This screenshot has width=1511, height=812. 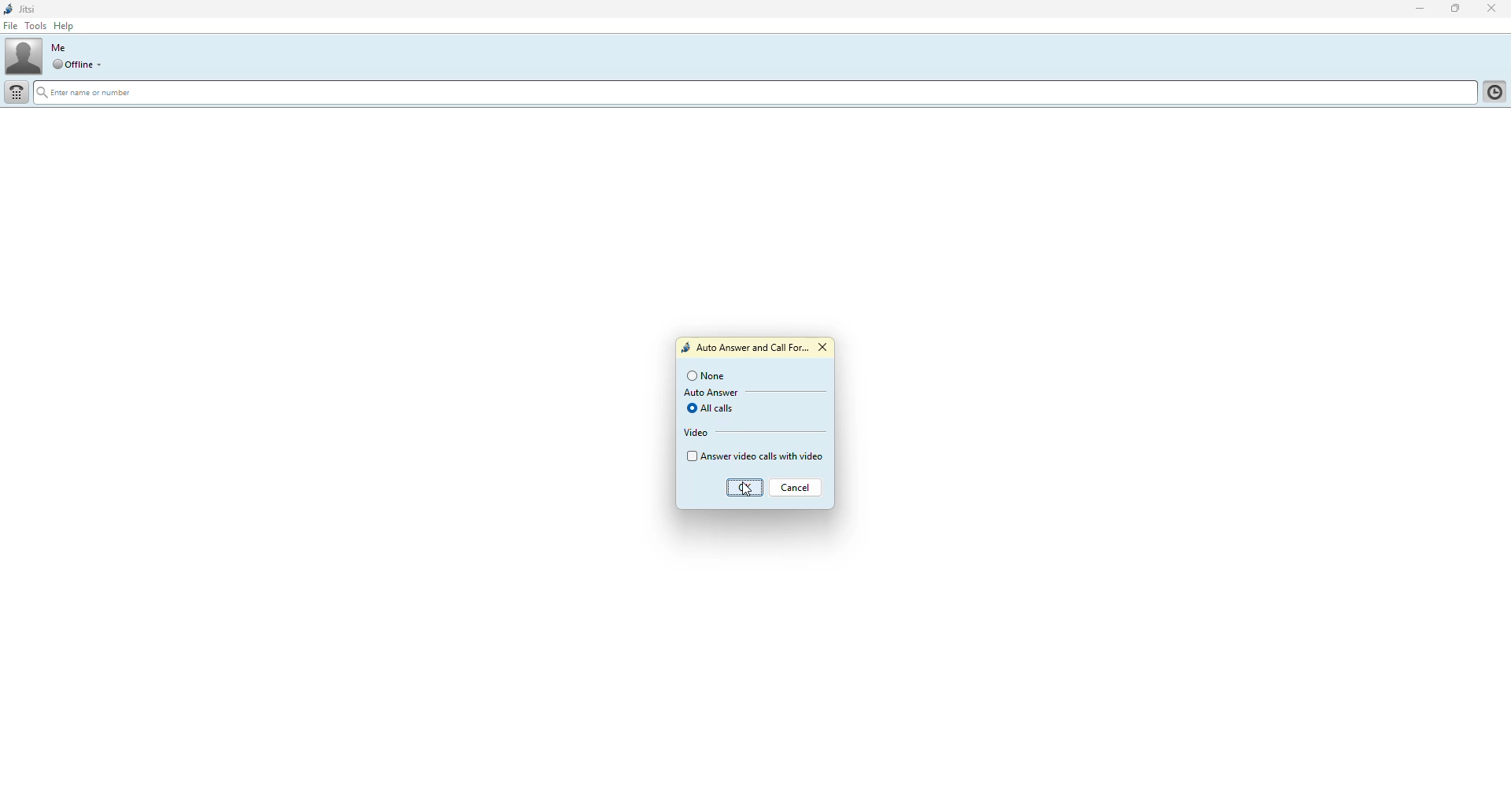 What do you see at coordinates (1492, 94) in the screenshot?
I see `contact list` at bounding box center [1492, 94].